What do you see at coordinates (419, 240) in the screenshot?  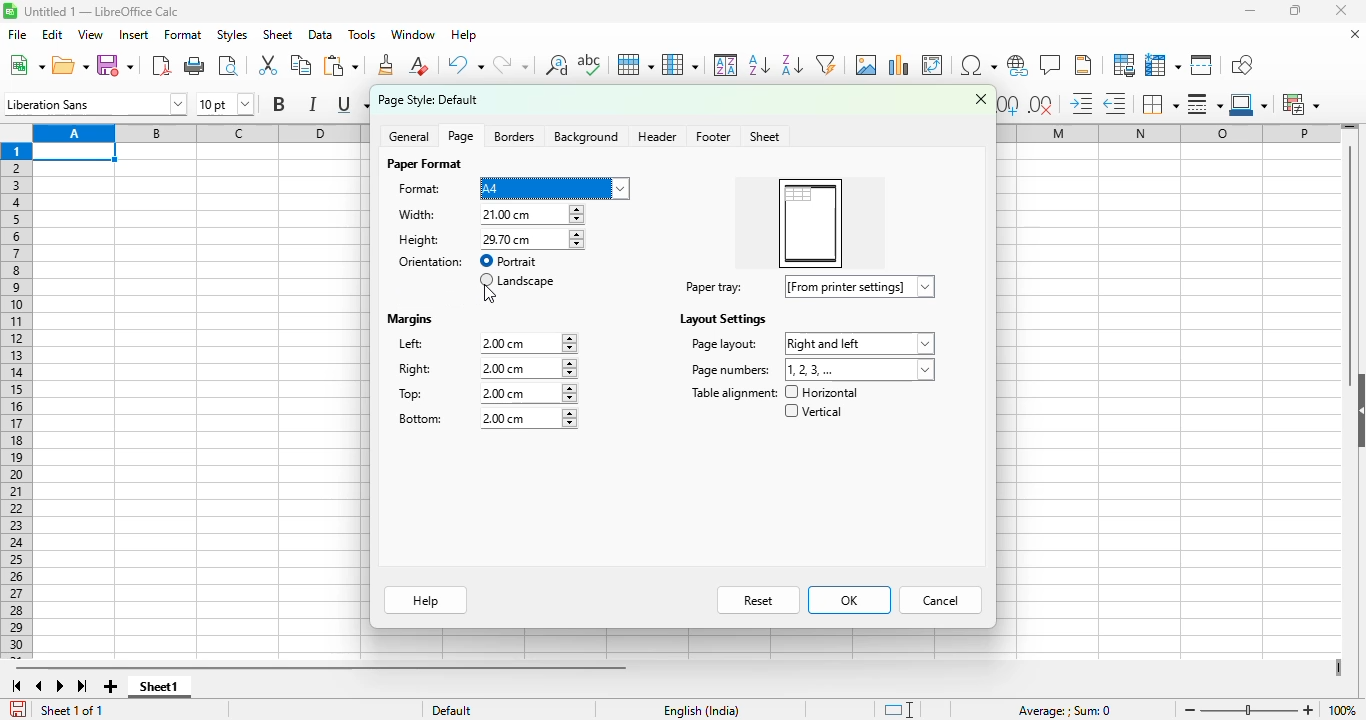 I see `height: ` at bounding box center [419, 240].